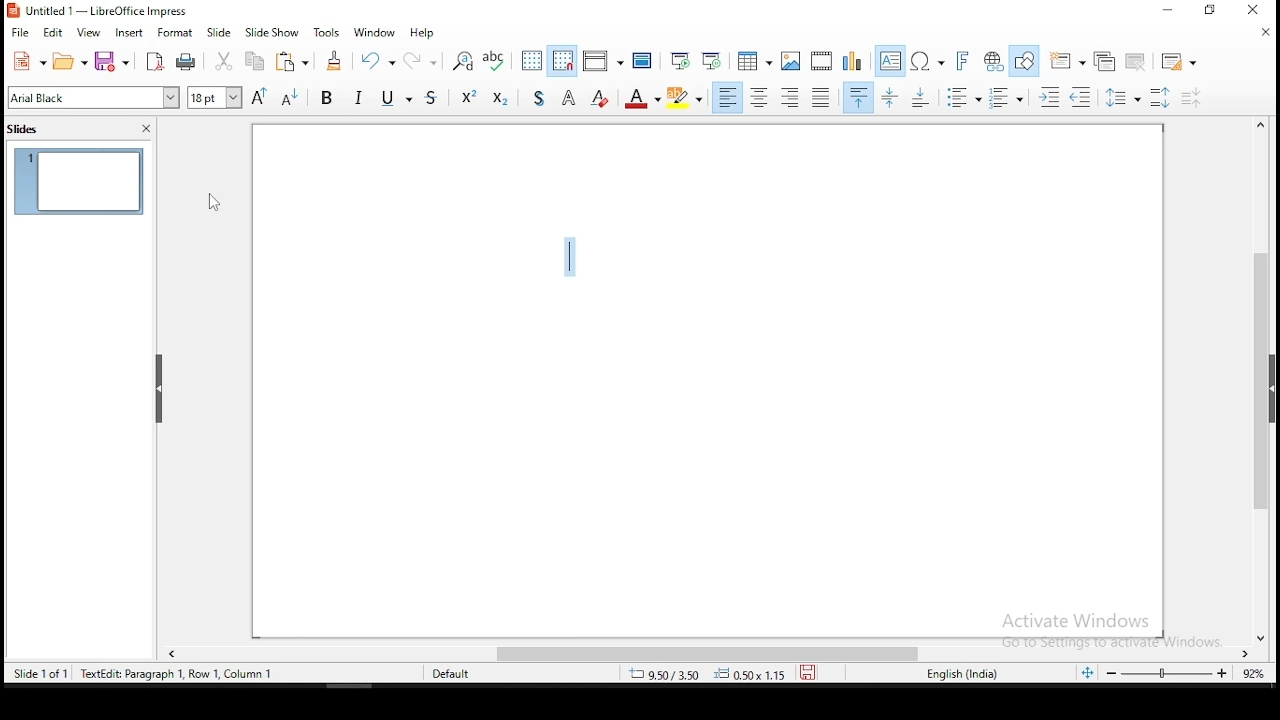  I want to click on Space above Paragraph, so click(923, 97).